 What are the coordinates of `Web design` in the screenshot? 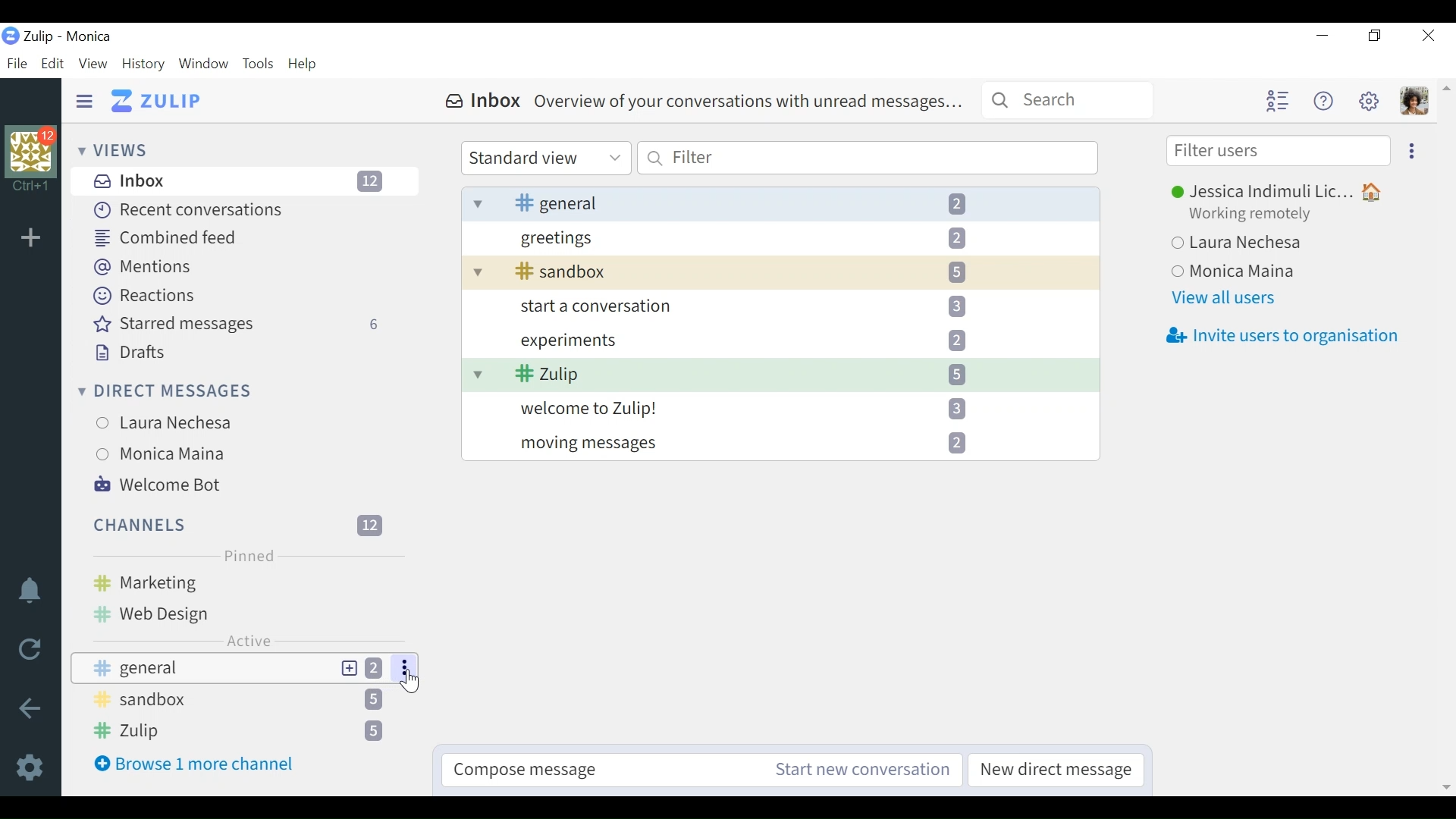 It's located at (240, 612).